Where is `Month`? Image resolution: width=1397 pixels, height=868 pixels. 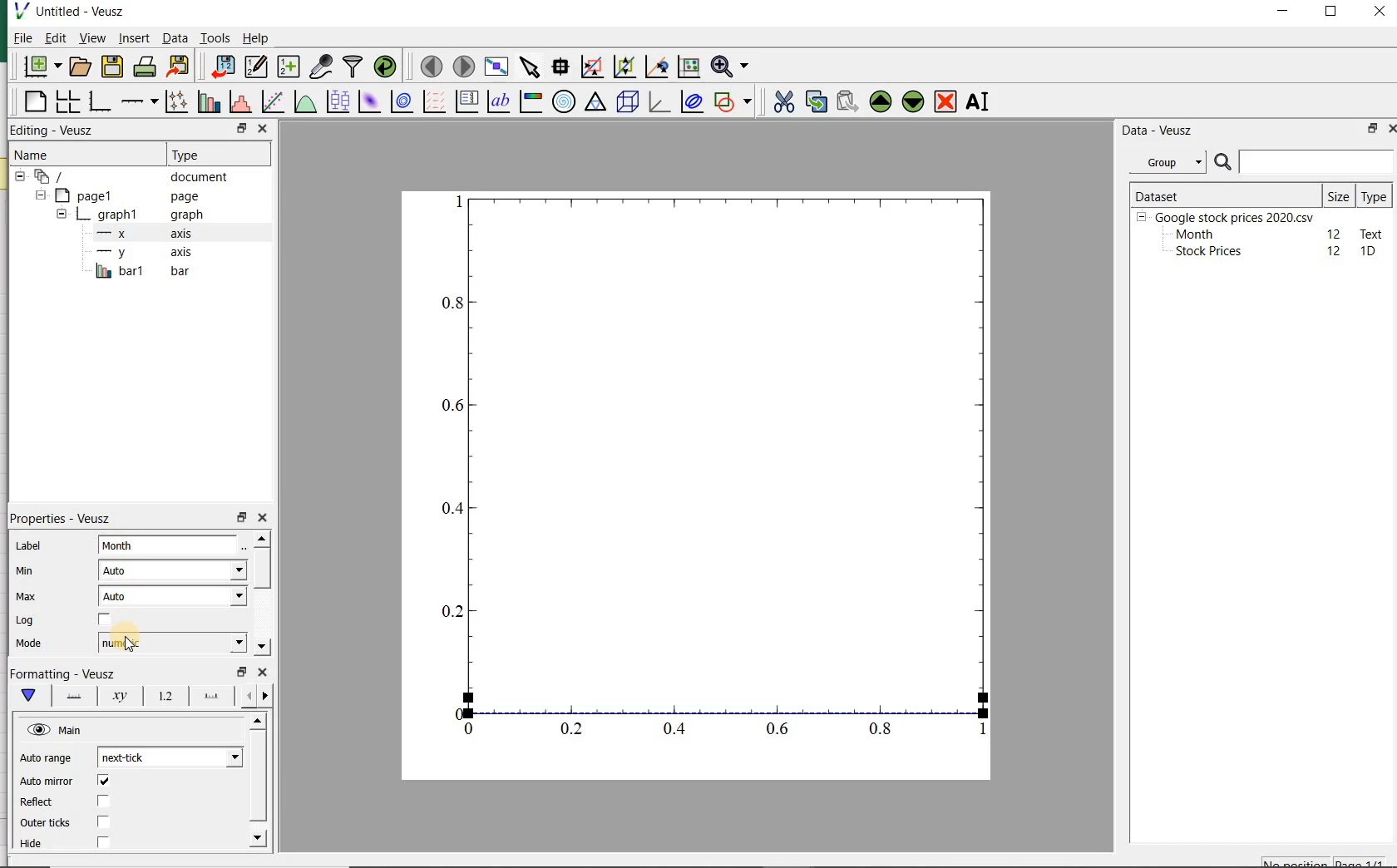 Month is located at coordinates (1193, 234).